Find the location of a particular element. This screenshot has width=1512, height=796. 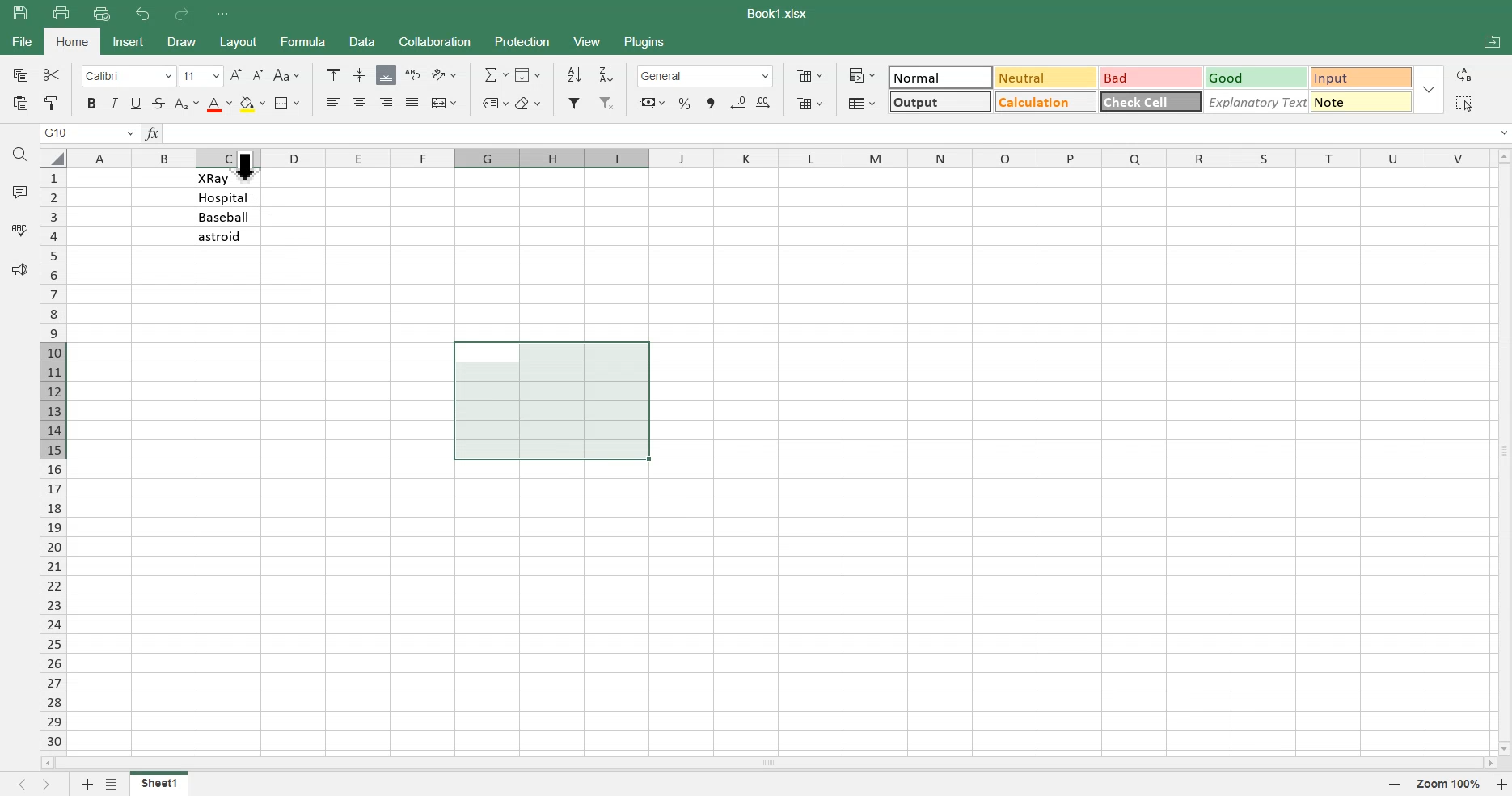

11 (font size) is located at coordinates (200, 76).